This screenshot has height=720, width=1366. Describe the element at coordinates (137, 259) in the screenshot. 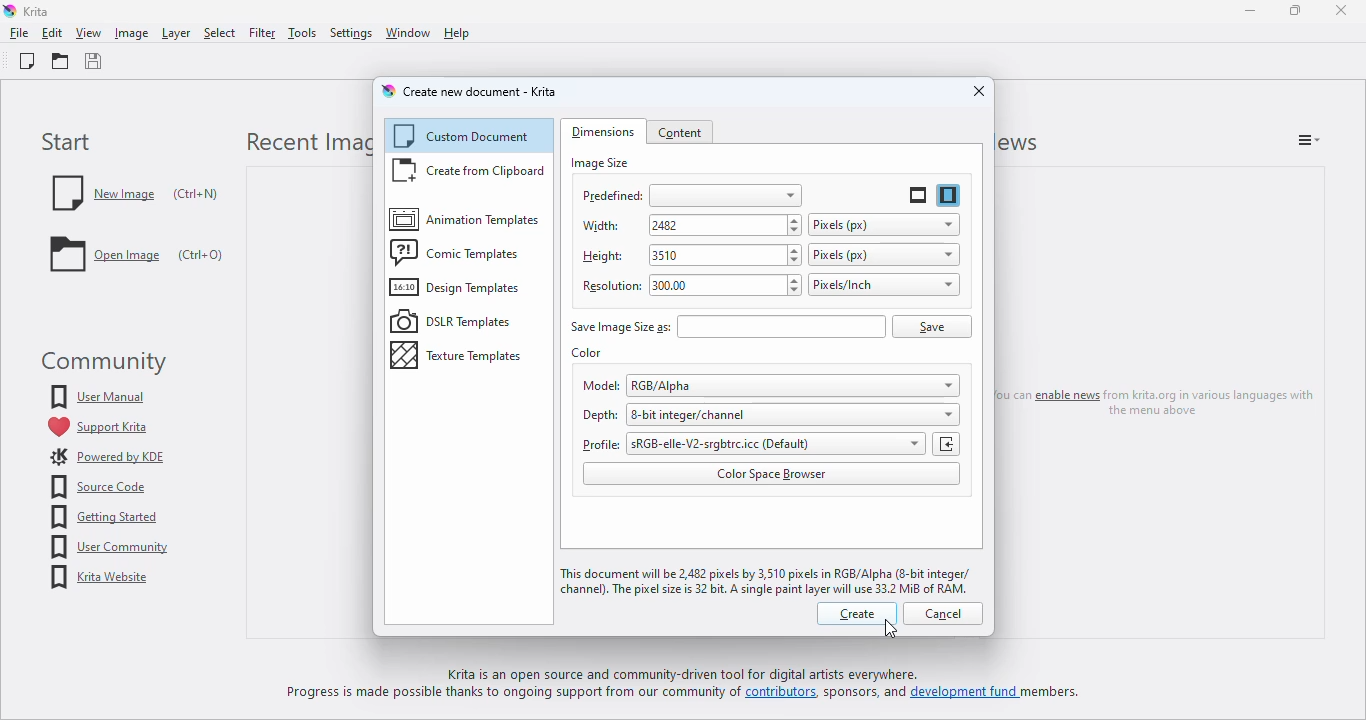

I see `Open image  (Ctrl+0)` at that location.